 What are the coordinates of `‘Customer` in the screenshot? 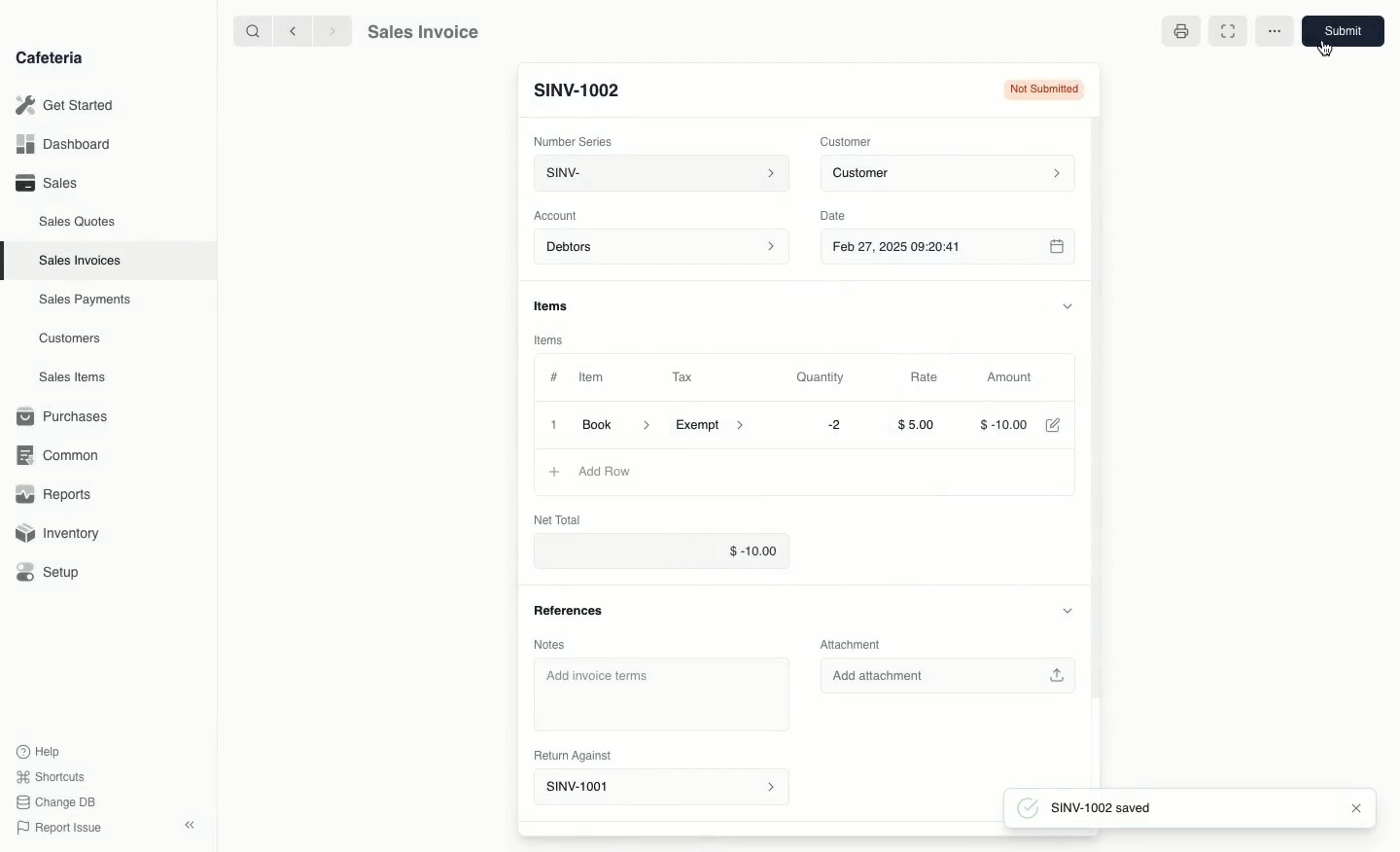 It's located at (850, 142).